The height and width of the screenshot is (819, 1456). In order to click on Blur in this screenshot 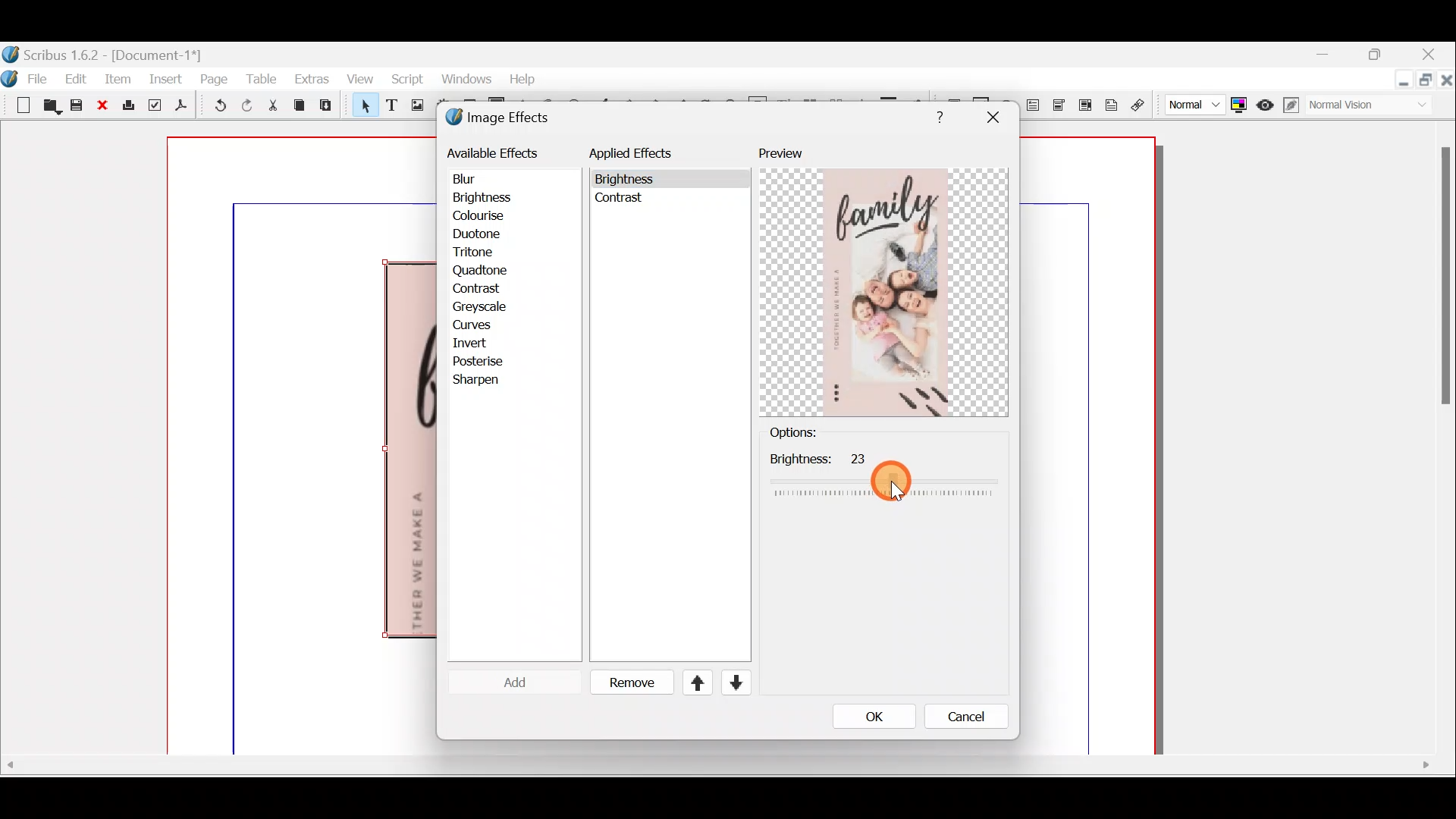, I will do `click(479, 179)`.